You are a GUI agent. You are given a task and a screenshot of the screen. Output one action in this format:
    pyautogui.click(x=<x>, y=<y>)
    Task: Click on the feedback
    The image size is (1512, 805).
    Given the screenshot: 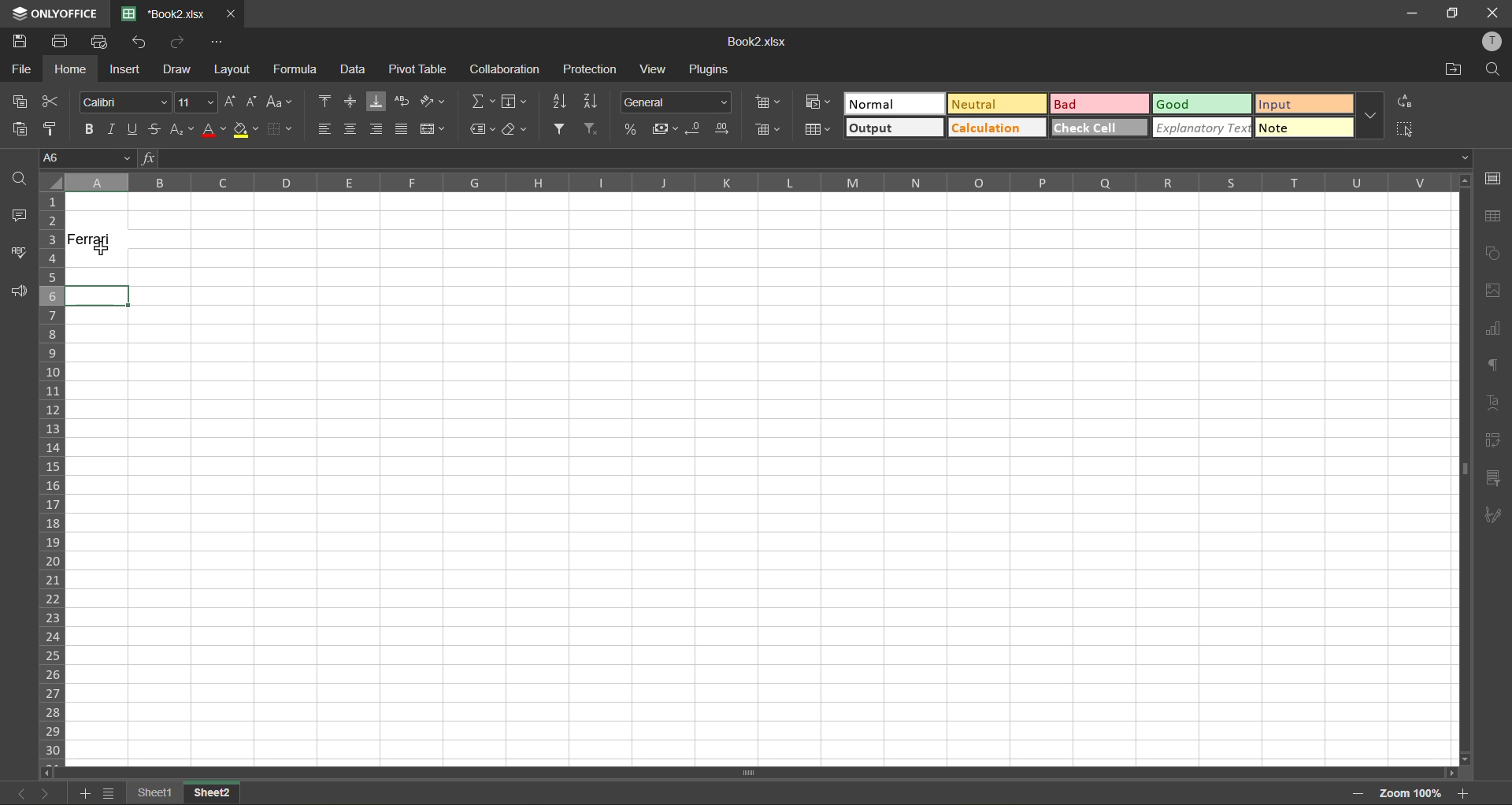 What is the action you would take?
    pyautogui.click(x=20, y=291)
    